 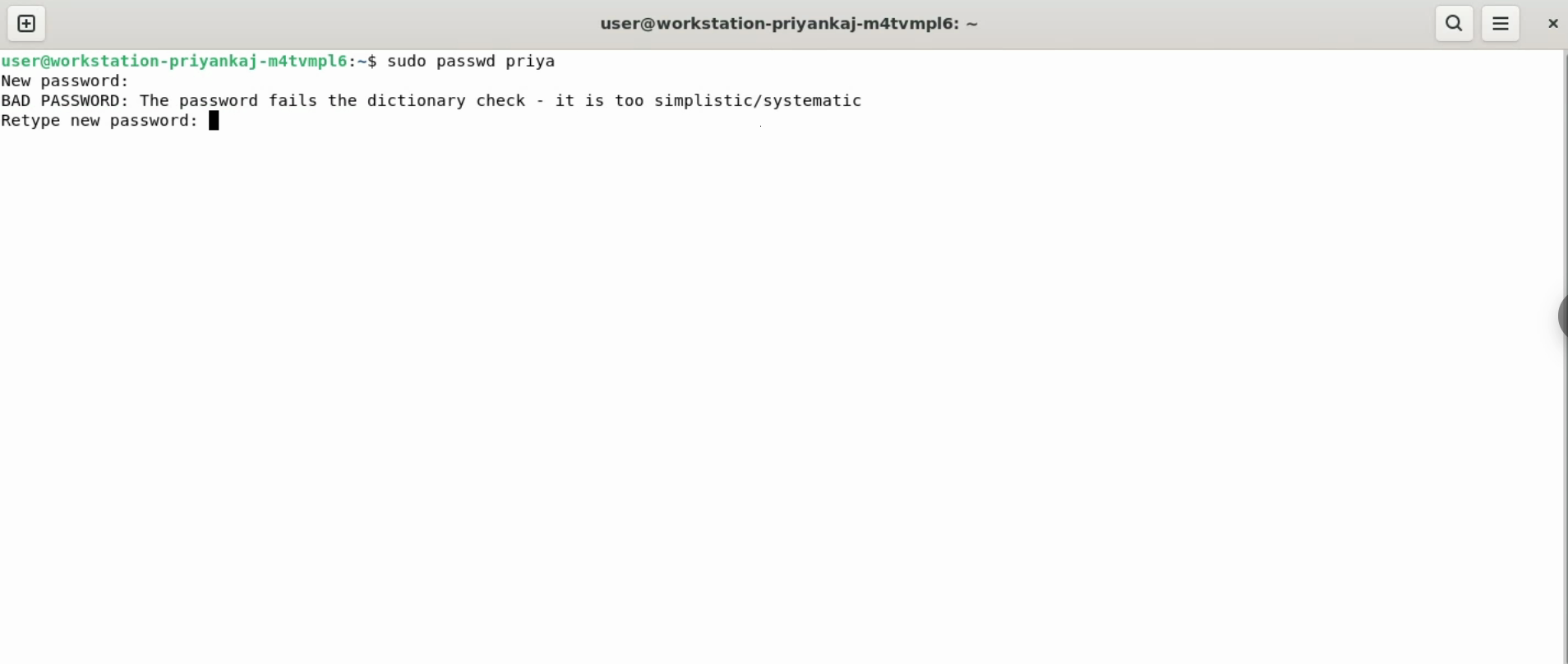 I want to click on search, so click(x=1454, y=24).